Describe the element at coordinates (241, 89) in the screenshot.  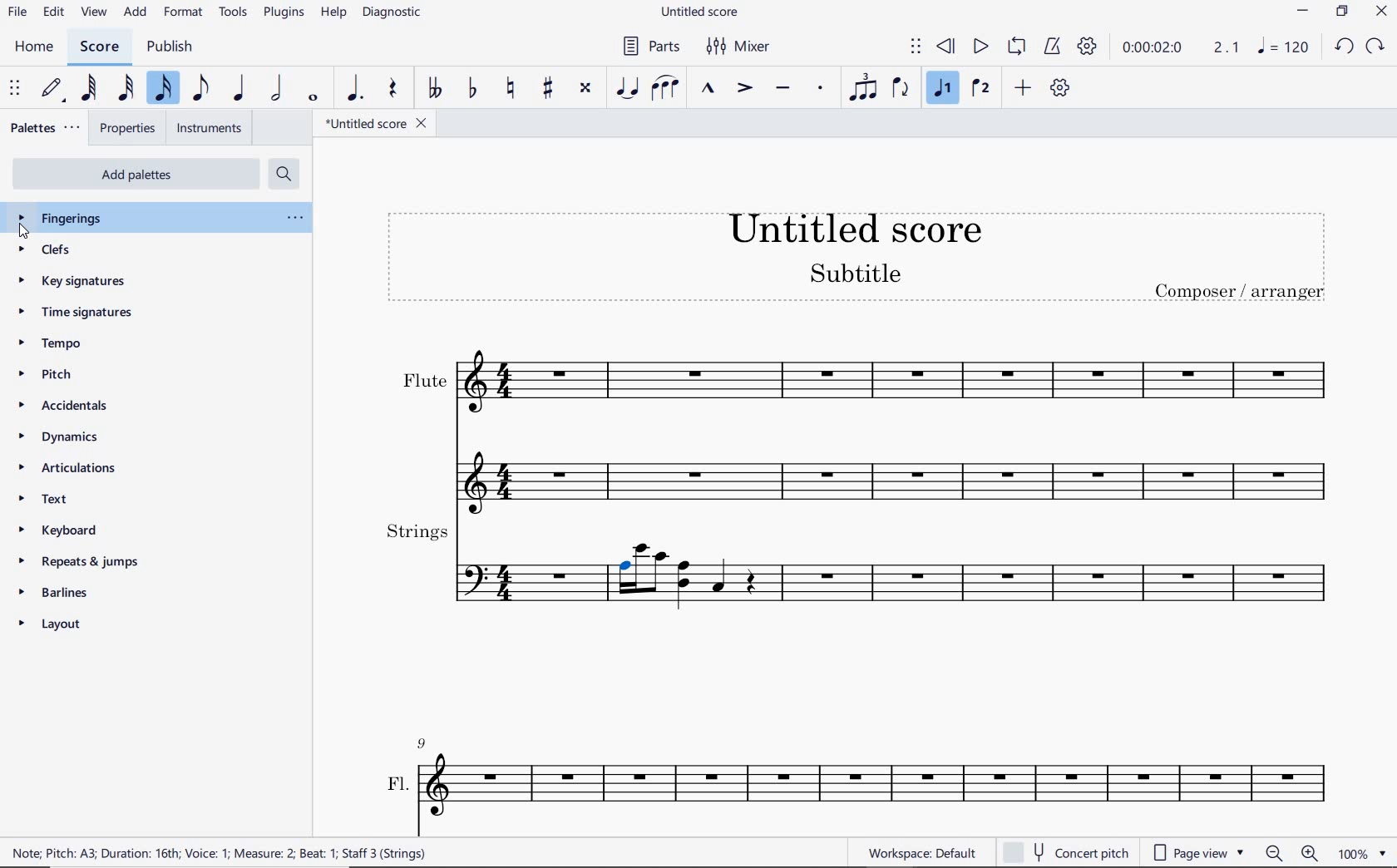
I see `quarter note` at that location.